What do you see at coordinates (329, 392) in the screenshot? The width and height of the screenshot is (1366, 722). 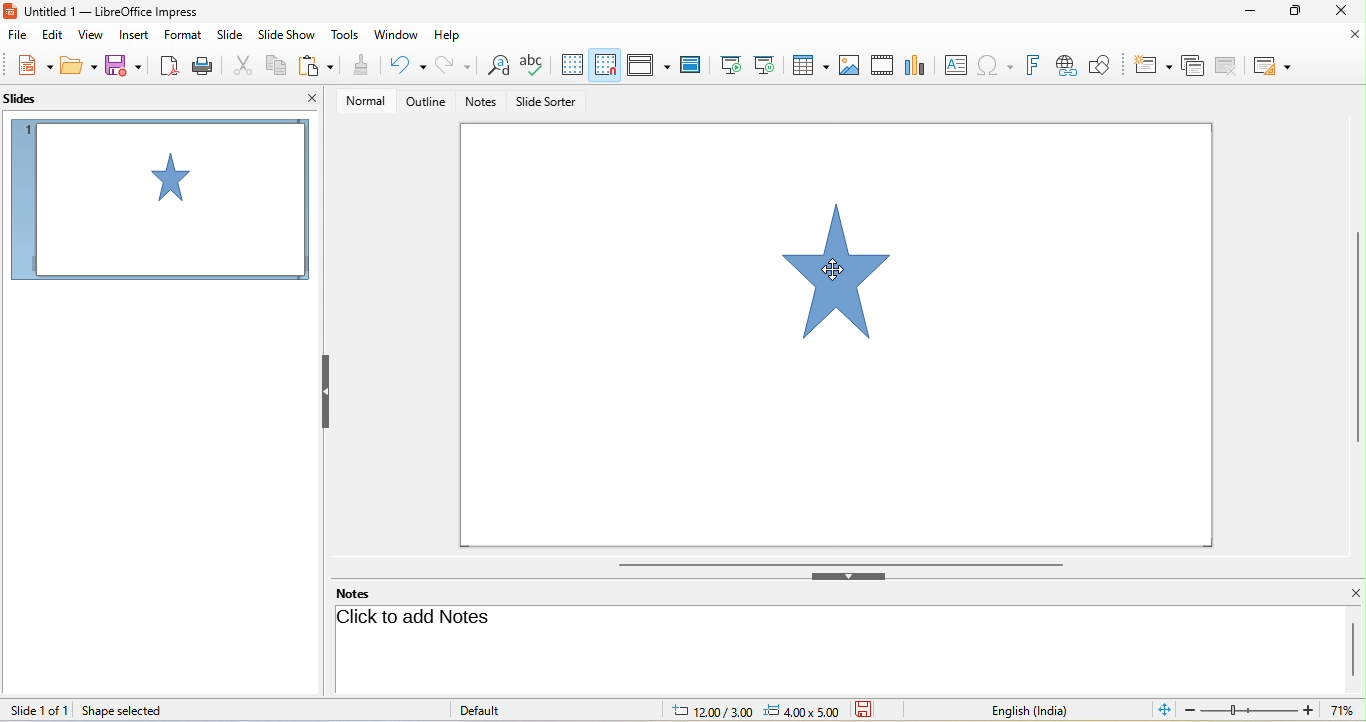 I see `hide` at bounding box center [329, 392].